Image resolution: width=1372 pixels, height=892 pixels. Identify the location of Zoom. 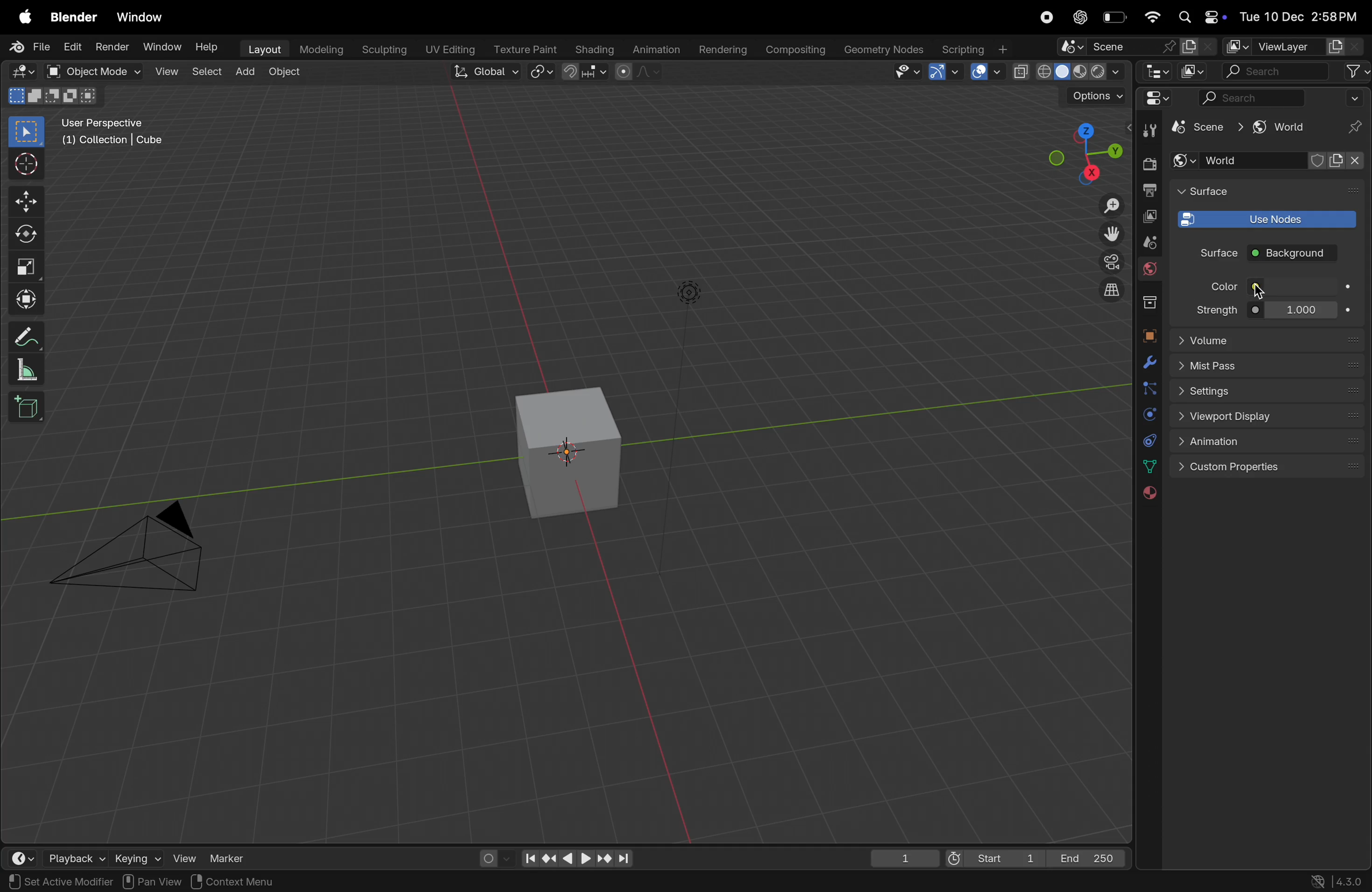
(1109, 207).